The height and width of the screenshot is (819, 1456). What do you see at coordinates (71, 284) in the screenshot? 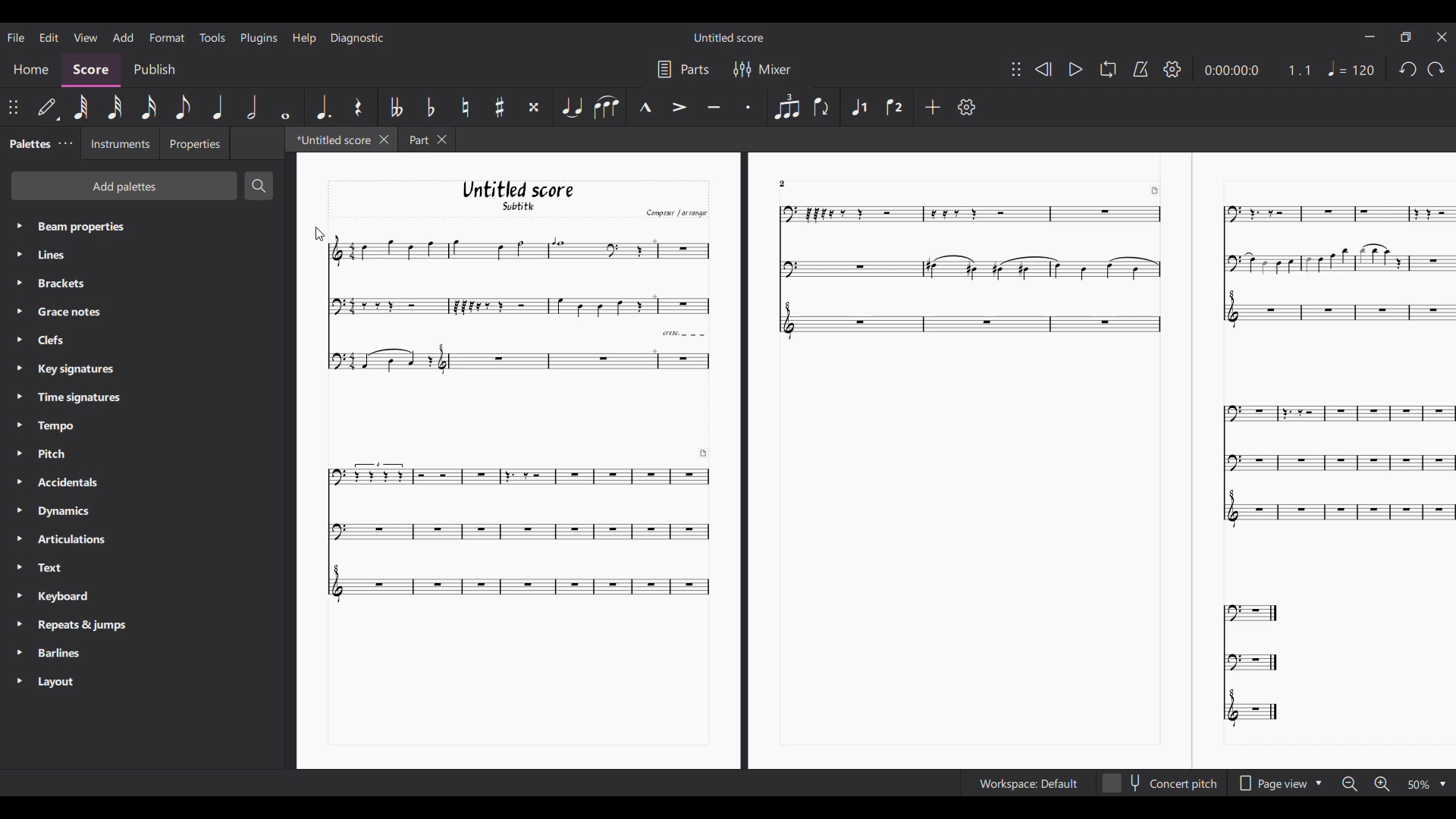
I see `Brackets` at bounding box center [71, 284].